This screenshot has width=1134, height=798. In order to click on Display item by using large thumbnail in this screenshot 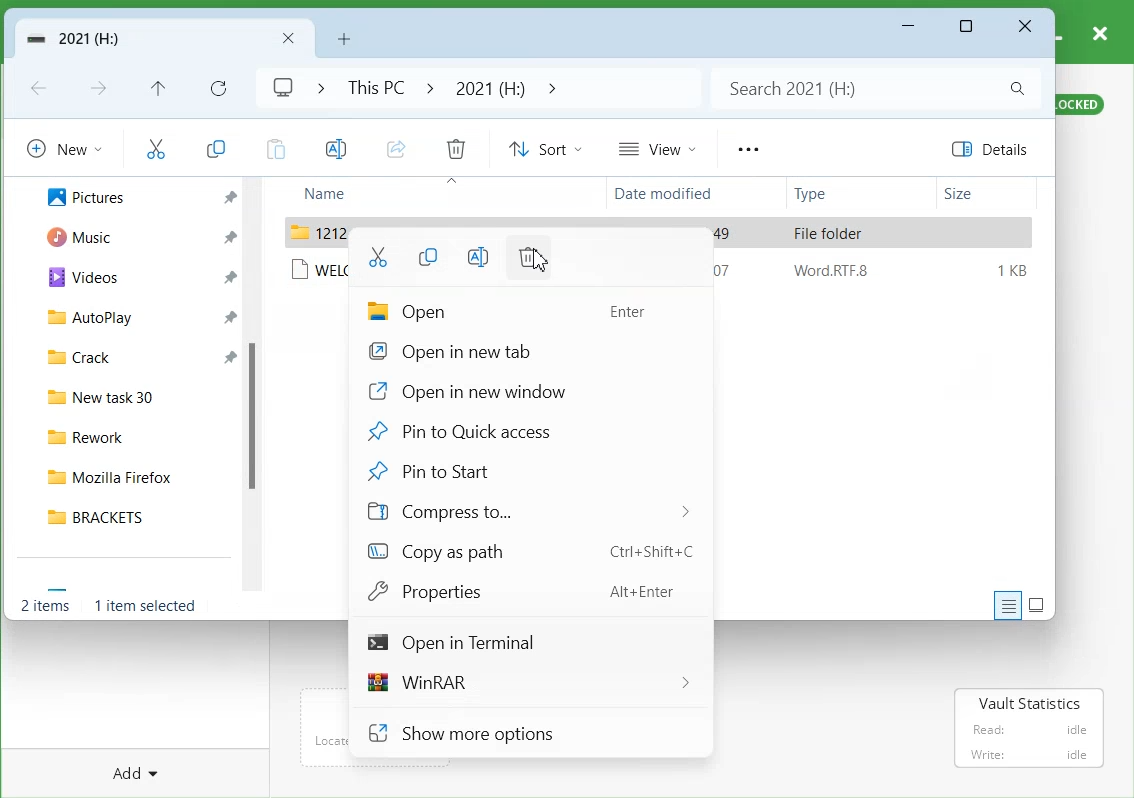, I will do `click(1037, 605)`.